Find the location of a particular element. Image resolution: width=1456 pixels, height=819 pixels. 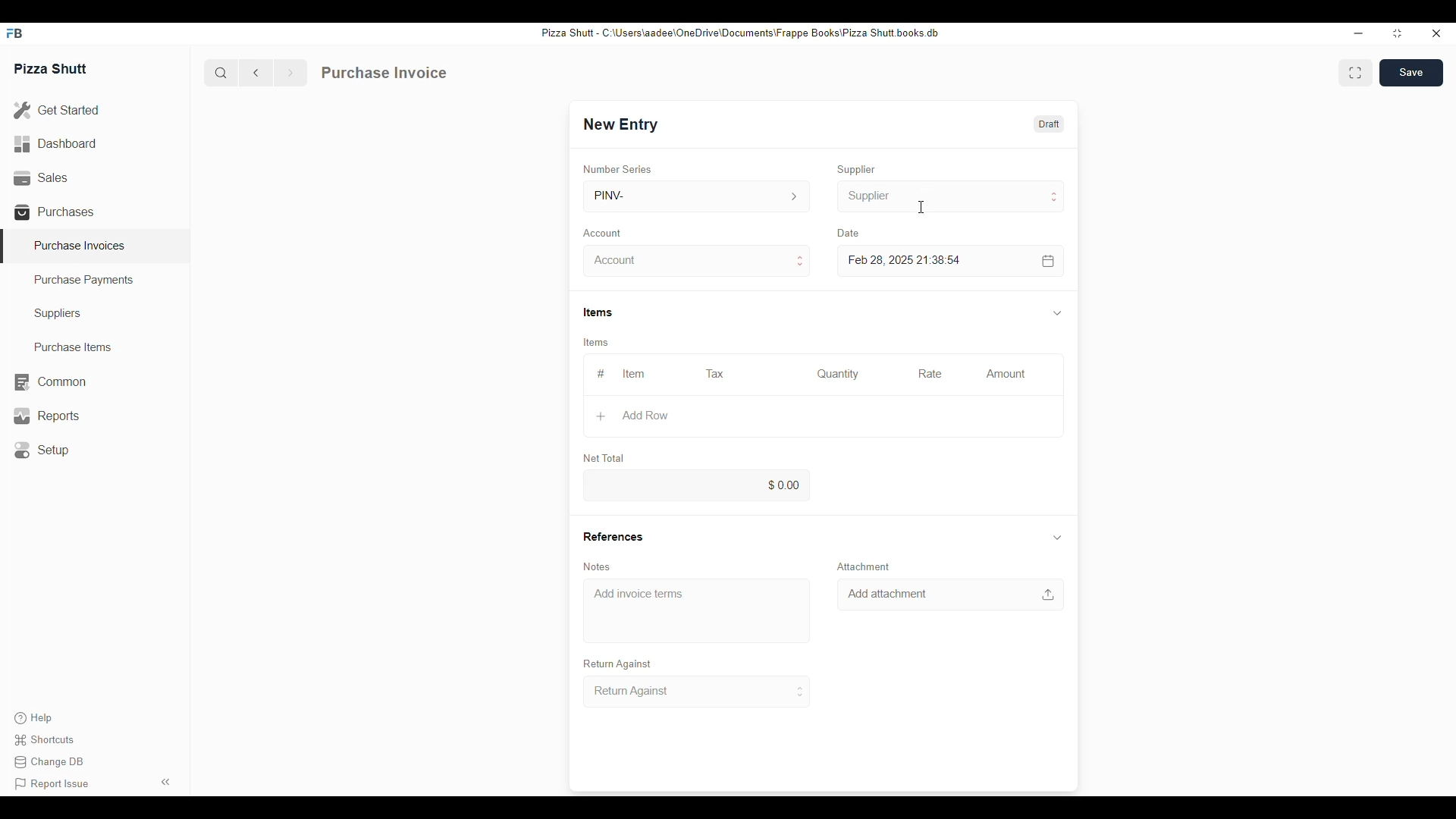

back is located at coordinates (259, 73).